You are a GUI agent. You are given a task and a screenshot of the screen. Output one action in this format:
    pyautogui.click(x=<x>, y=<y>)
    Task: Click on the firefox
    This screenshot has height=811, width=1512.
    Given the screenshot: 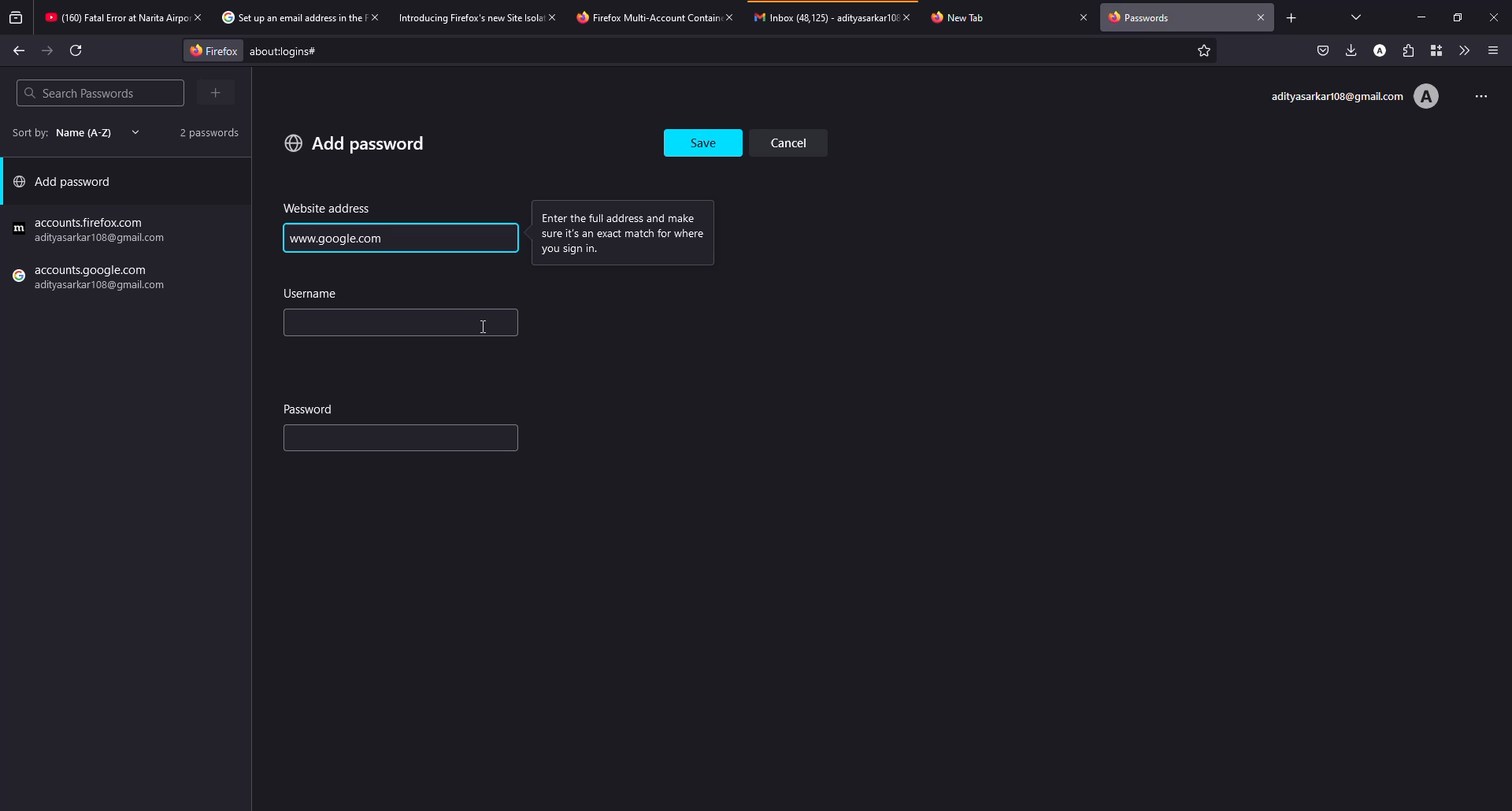 What is the action you would take?
    pyautogui.click(x=209, y=50)
    